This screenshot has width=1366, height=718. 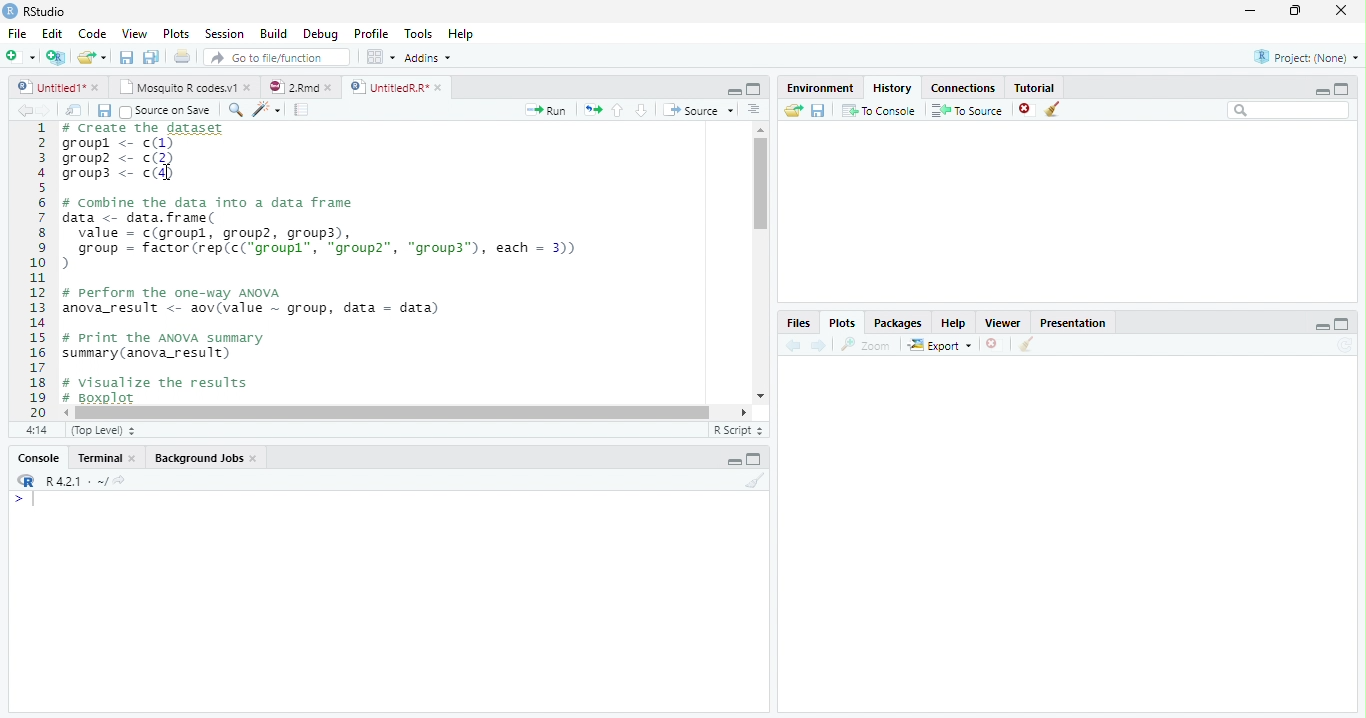 What do you see at coordinates (267, 111) in the screenshot?
I see `Magic code` at bounding box center [267, 111].